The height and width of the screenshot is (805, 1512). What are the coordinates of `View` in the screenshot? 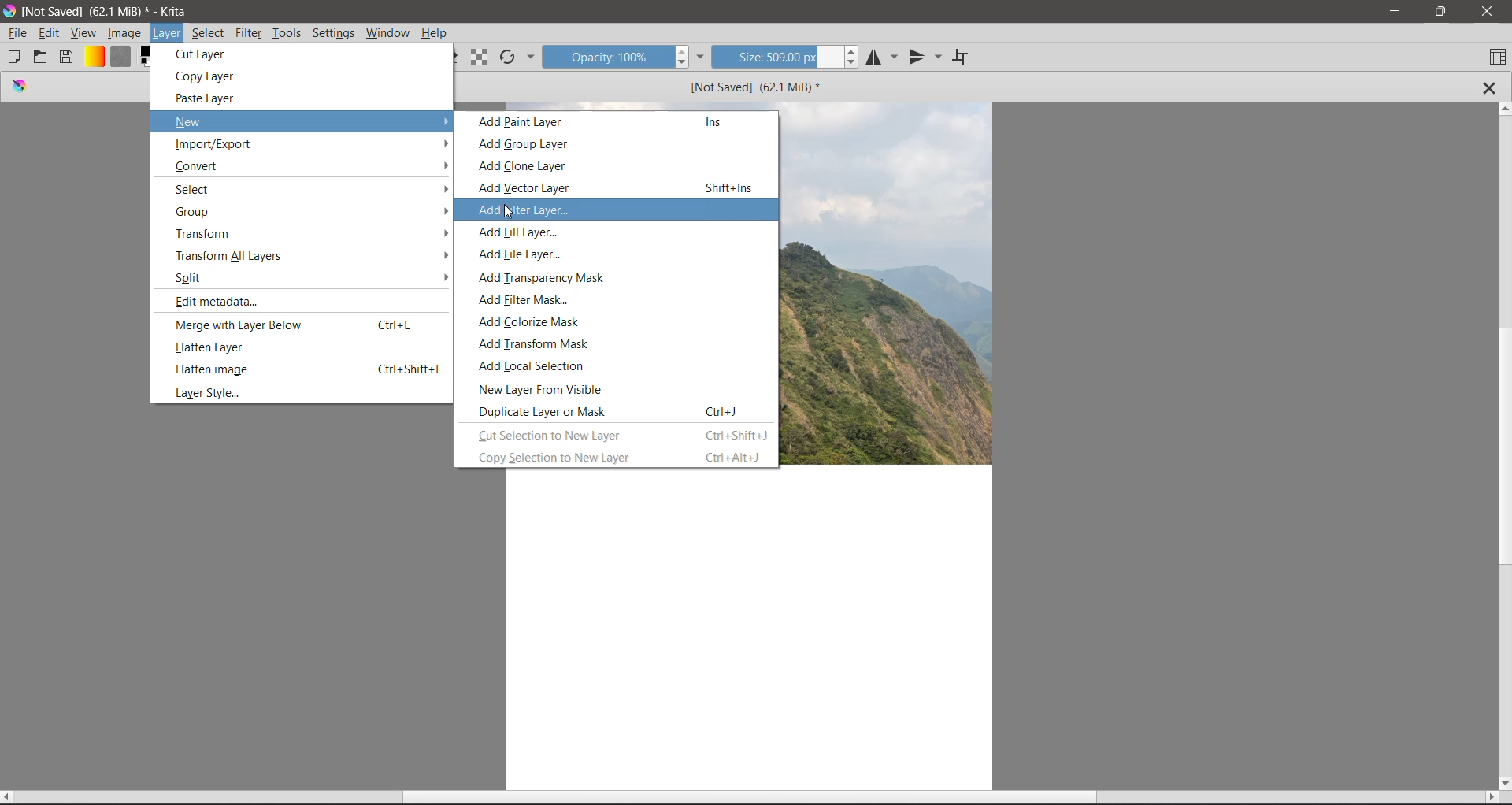 It's located at (83, 33).